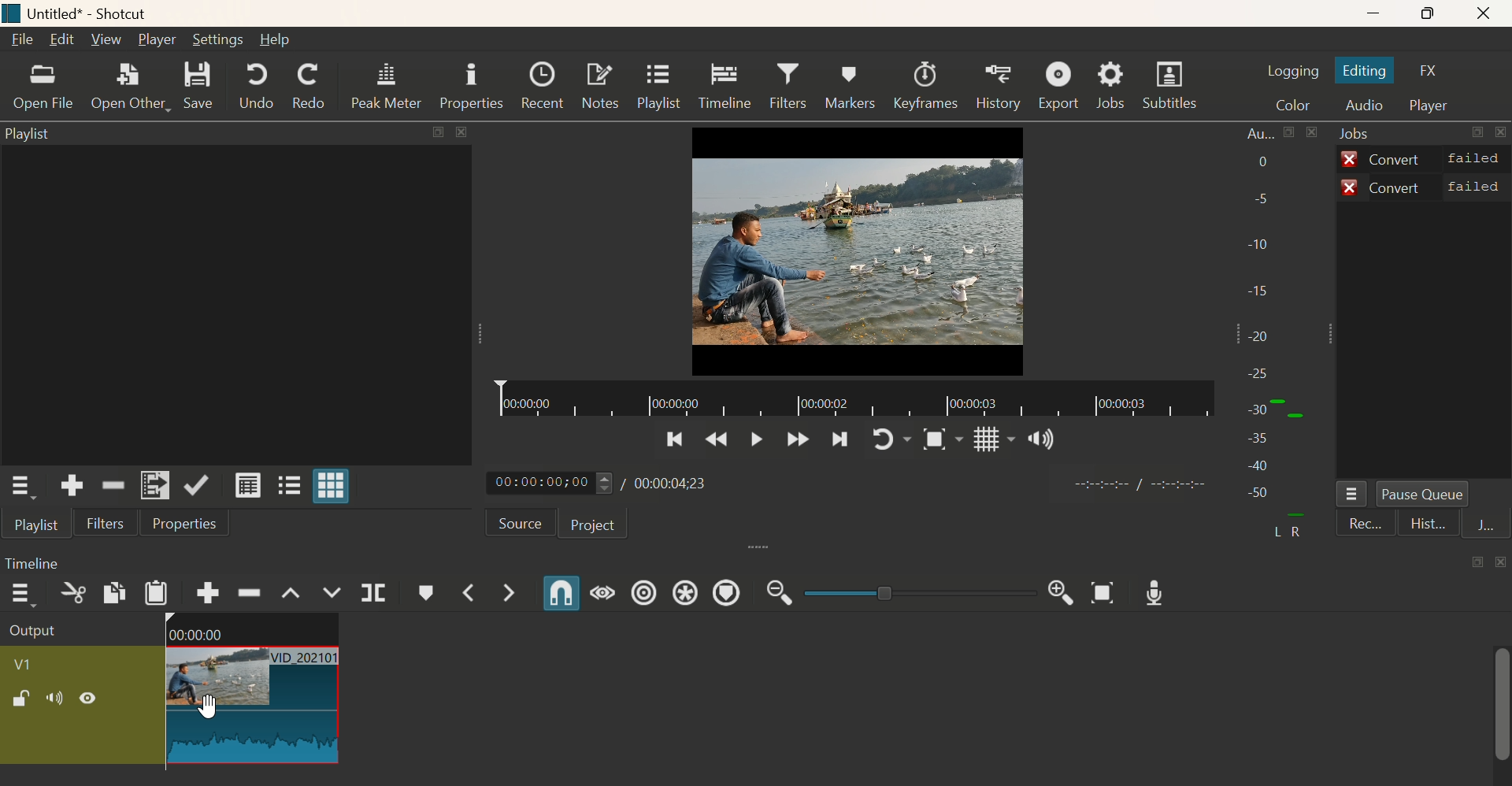 The image size is (1512, 786). I want to click on Audio, so click(1366, 106).